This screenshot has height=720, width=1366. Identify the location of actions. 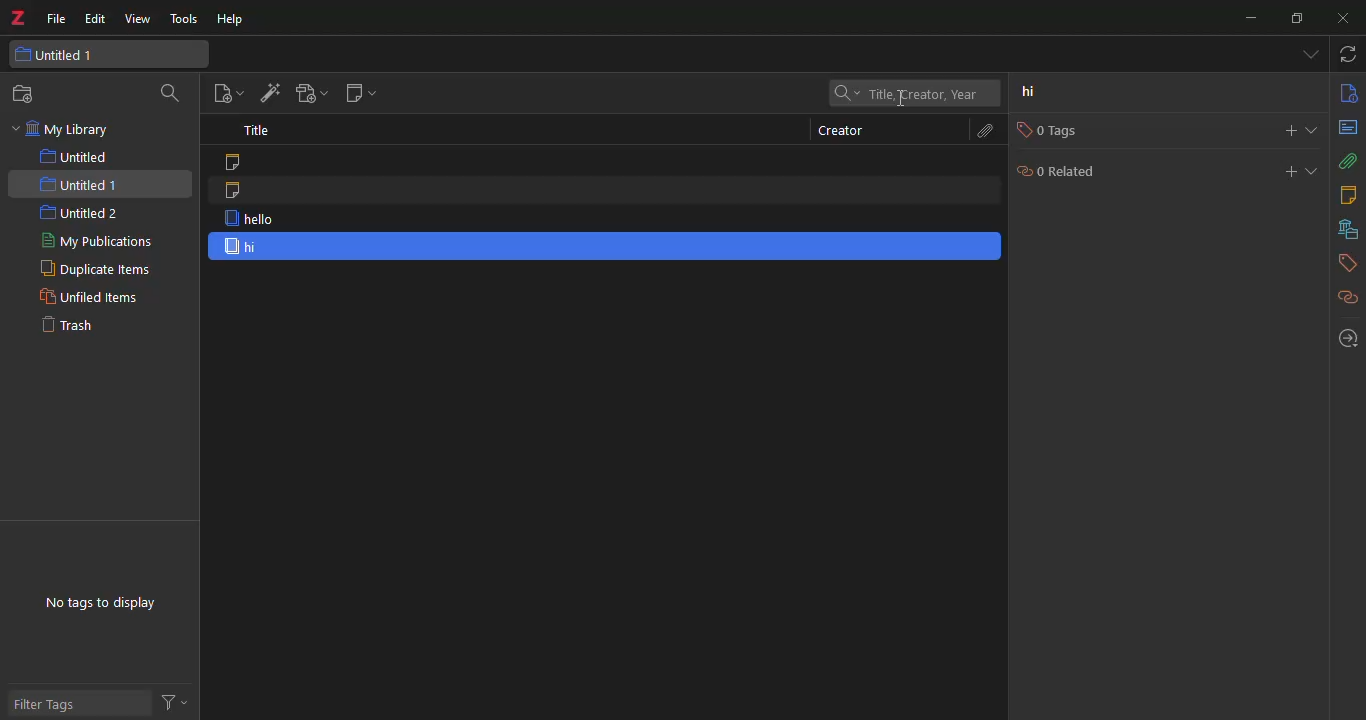
(173, 700).